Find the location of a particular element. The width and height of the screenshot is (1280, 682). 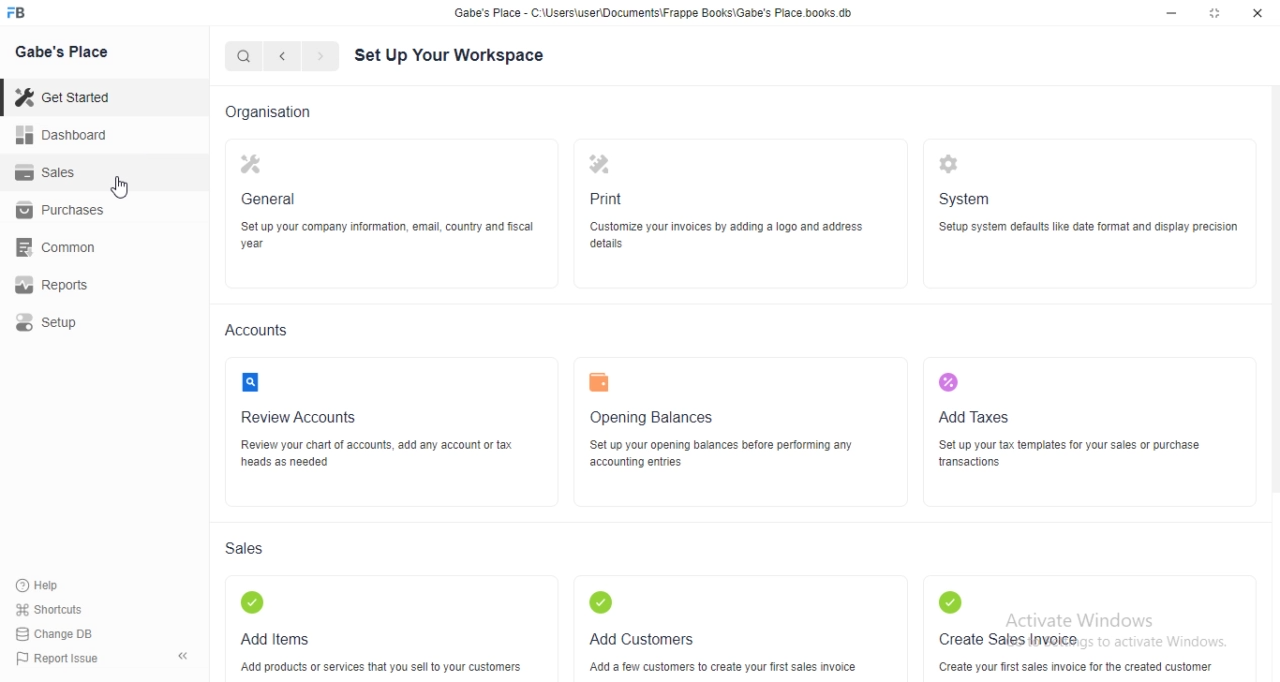

Add Items is located at coordinates (288, 620).